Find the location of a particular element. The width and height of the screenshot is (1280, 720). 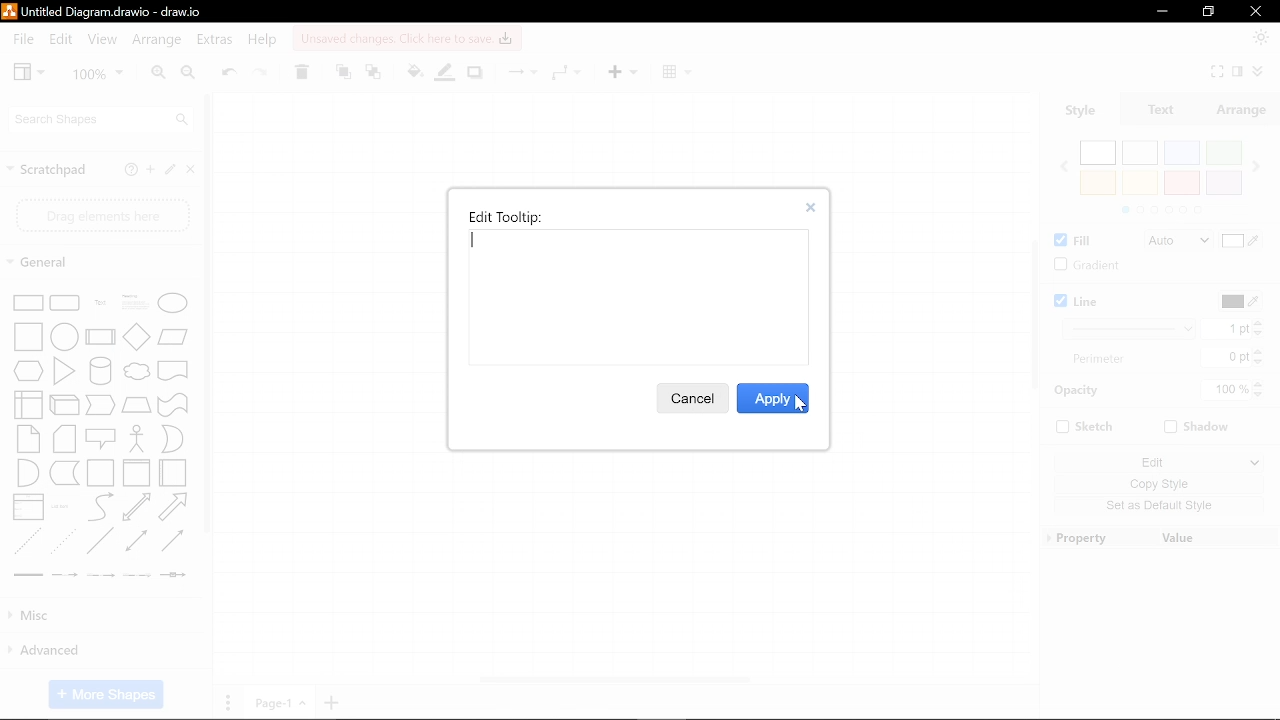

Current file - Untitled Diagram.drawio - draw.io is located at coordinates (109, 11).